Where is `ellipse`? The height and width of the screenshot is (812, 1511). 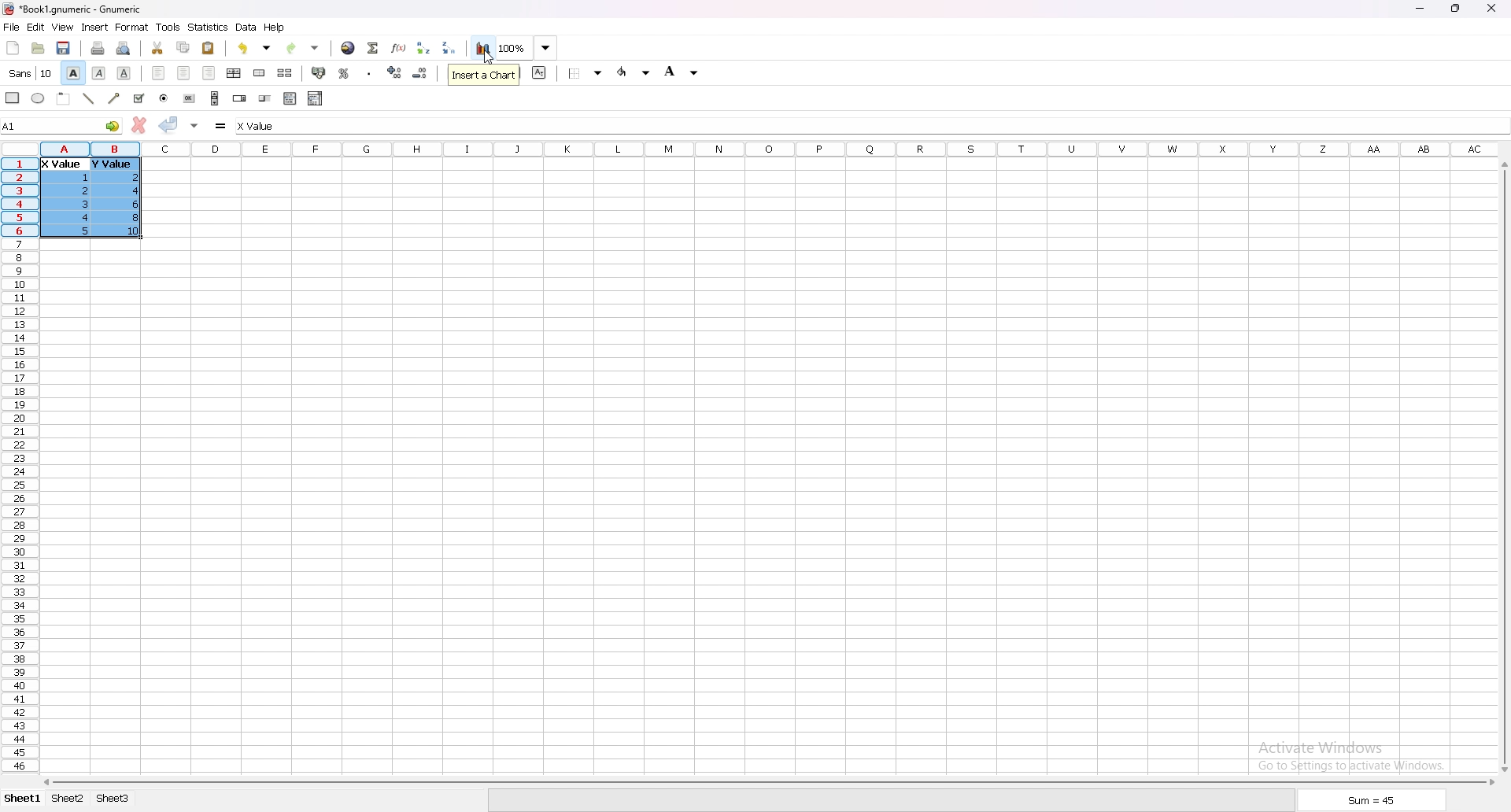
ellipse is located at coordinates (38, 98).